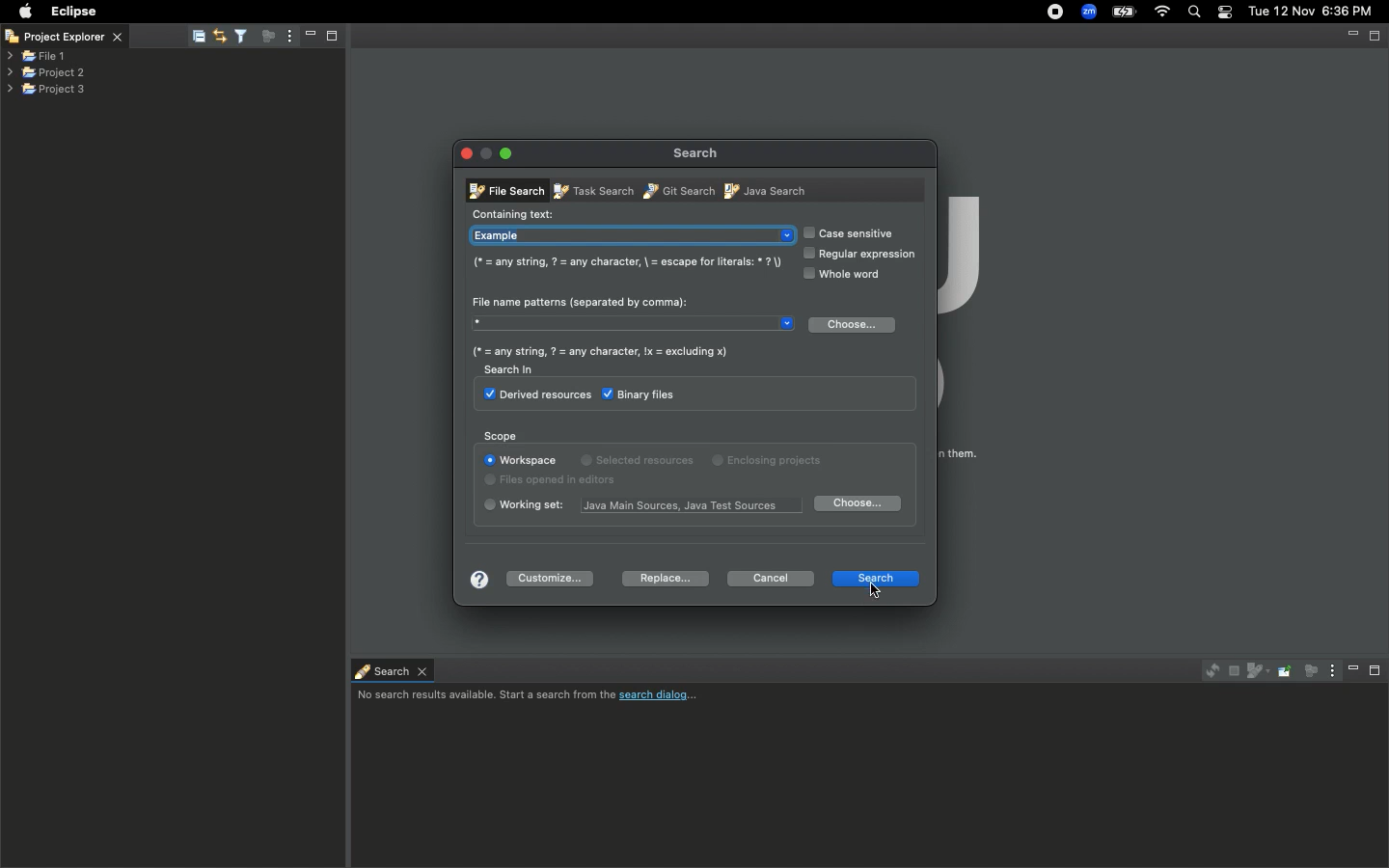 The width and height of the screenshot is (1389, 868). Describe the element at coordinates (467, 153) in the screenshot. I see `Close` at that location.